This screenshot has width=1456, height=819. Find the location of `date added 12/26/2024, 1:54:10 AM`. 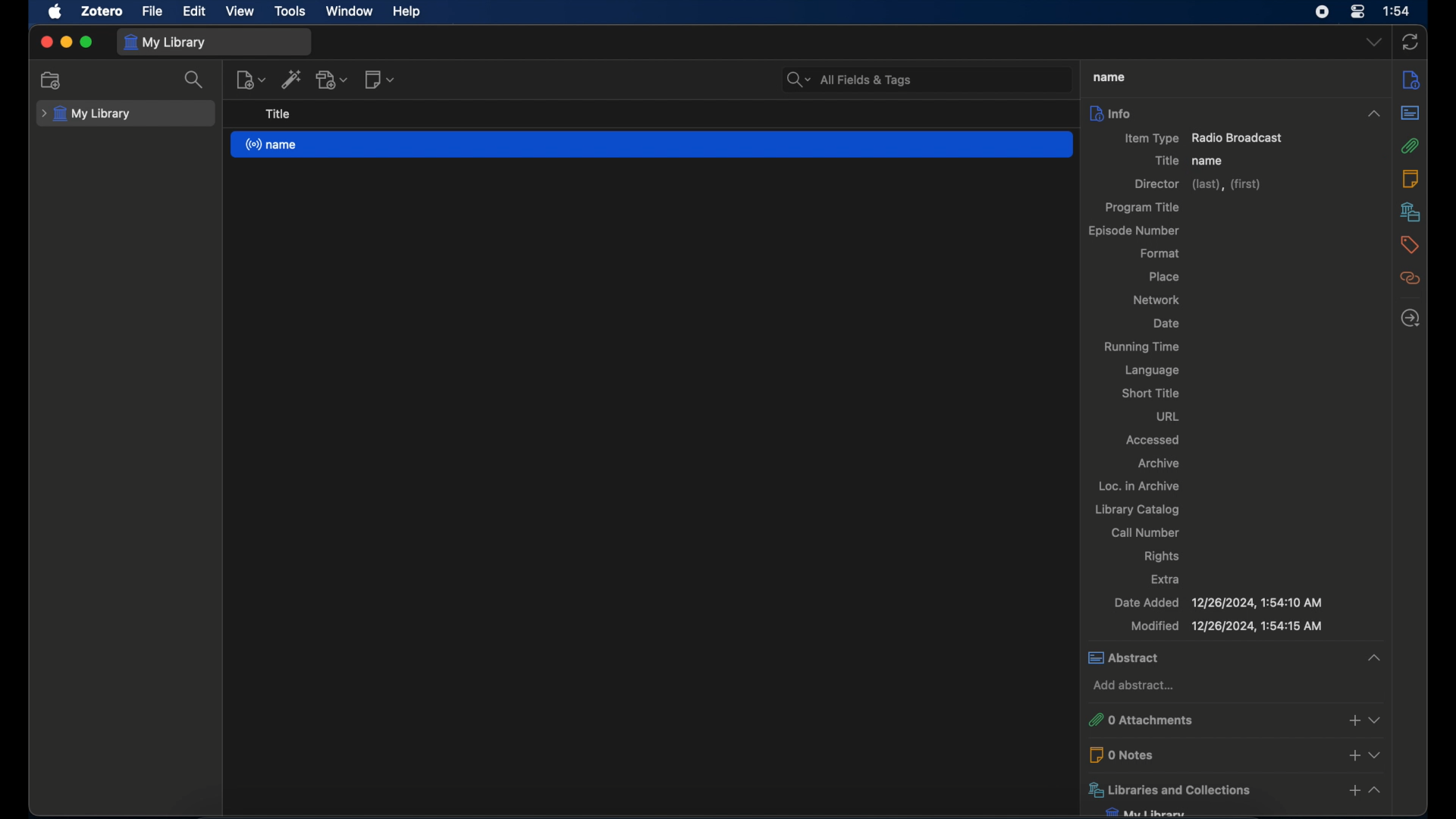

date added 12/26/2024, 1:54:10 AM is located at coordinates (1216, 602).